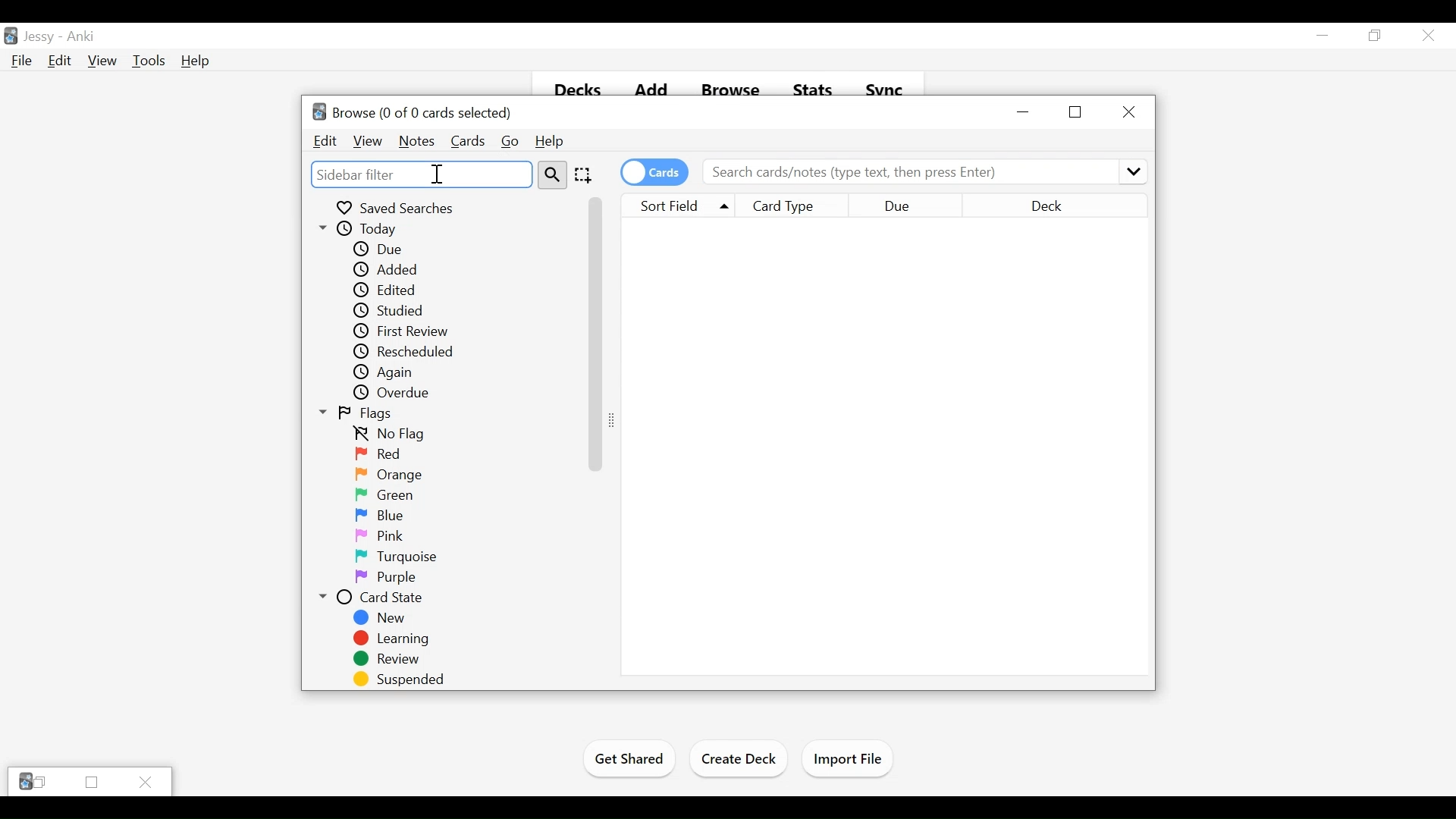  What do you see at coordinates (509, 142) in the screenshot?
I see `Go` at bounding box center [509, 142].